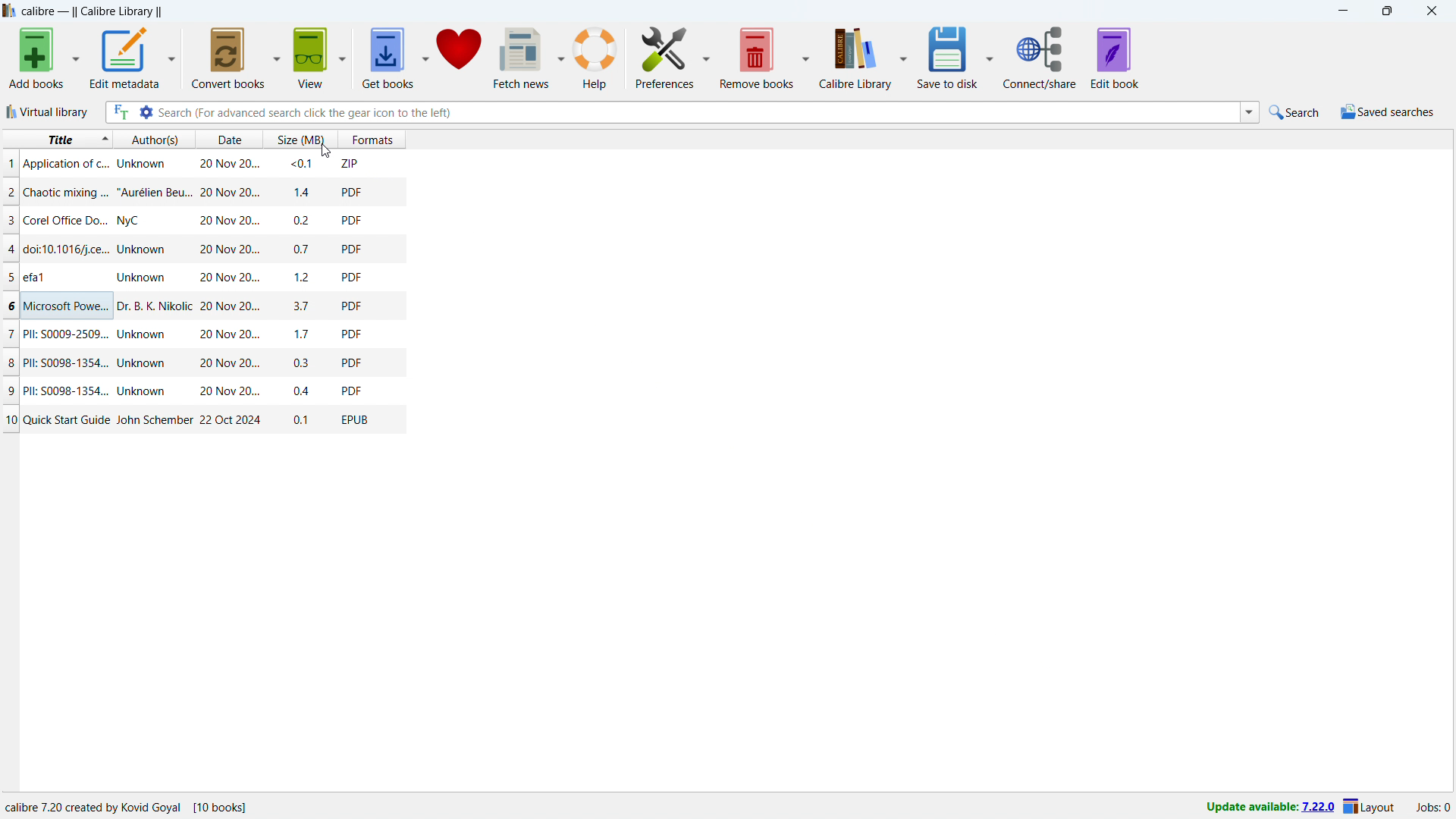 The height and width of the screenshot is (819, 1456). I want to click on sort by title, so click(58, 140).